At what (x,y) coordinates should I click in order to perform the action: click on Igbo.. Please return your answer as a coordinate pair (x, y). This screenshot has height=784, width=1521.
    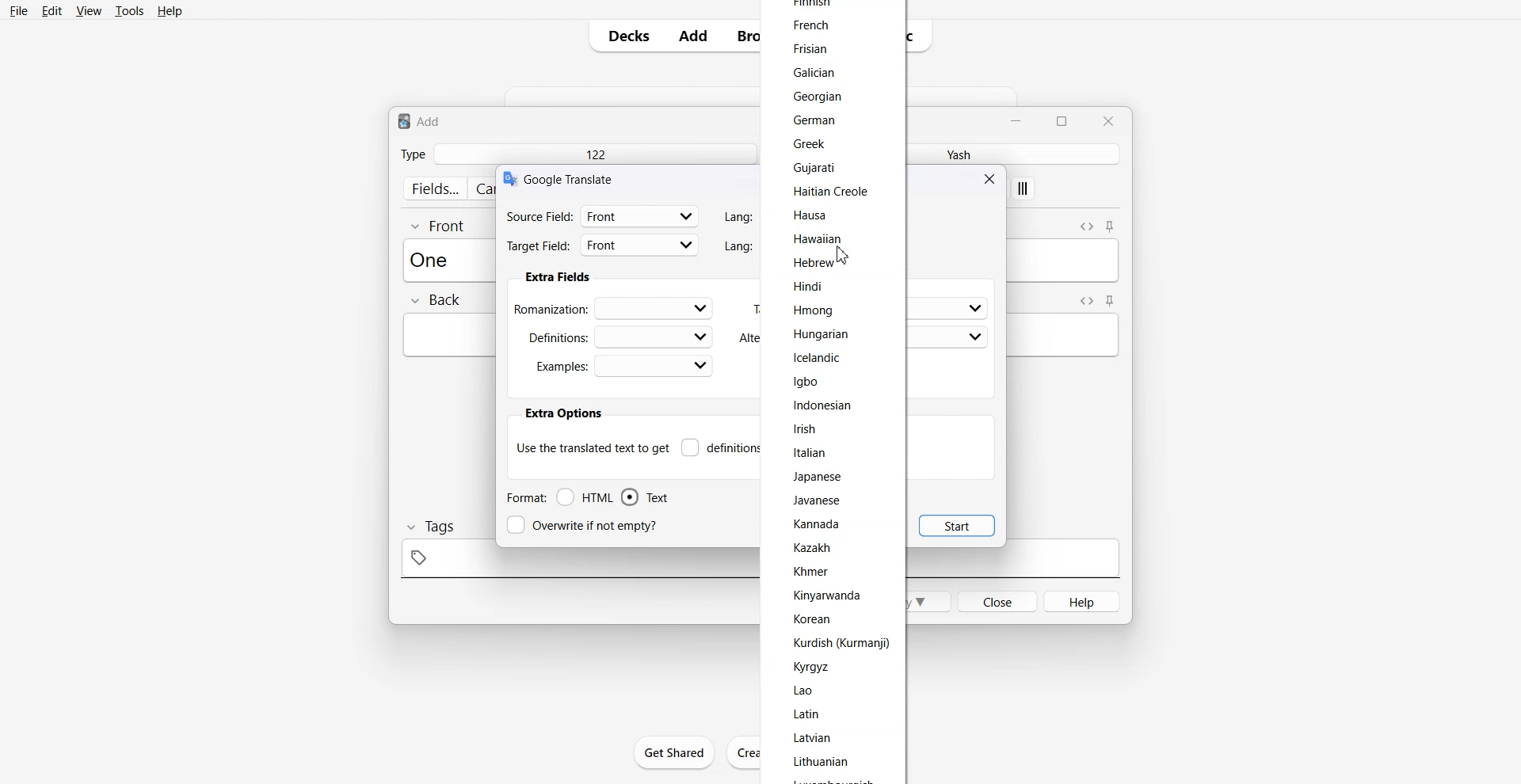
    Looking at the image, I should click on (806, 380).